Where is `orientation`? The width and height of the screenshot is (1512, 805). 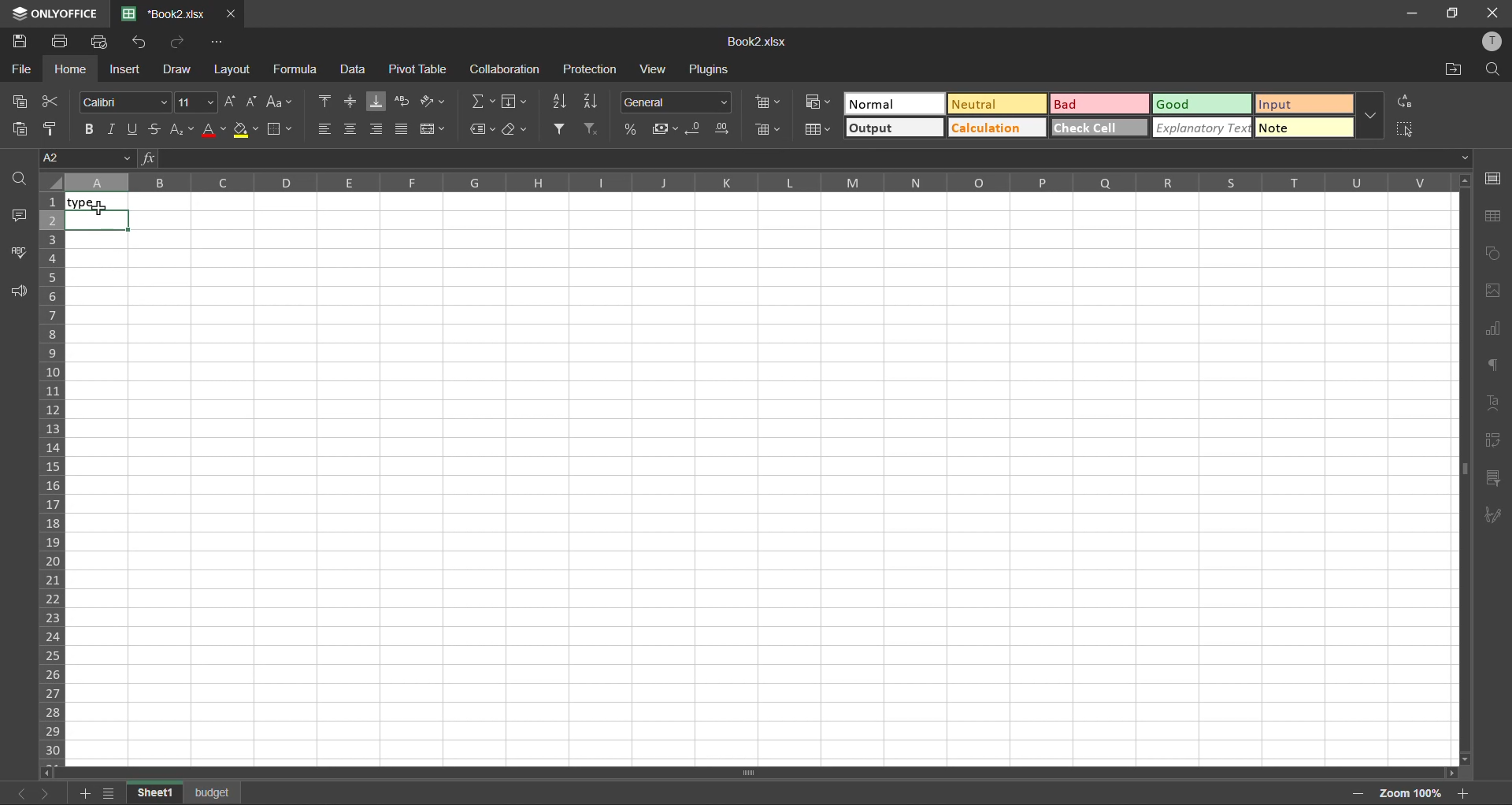 orientation is located at coordinates (432, 101).